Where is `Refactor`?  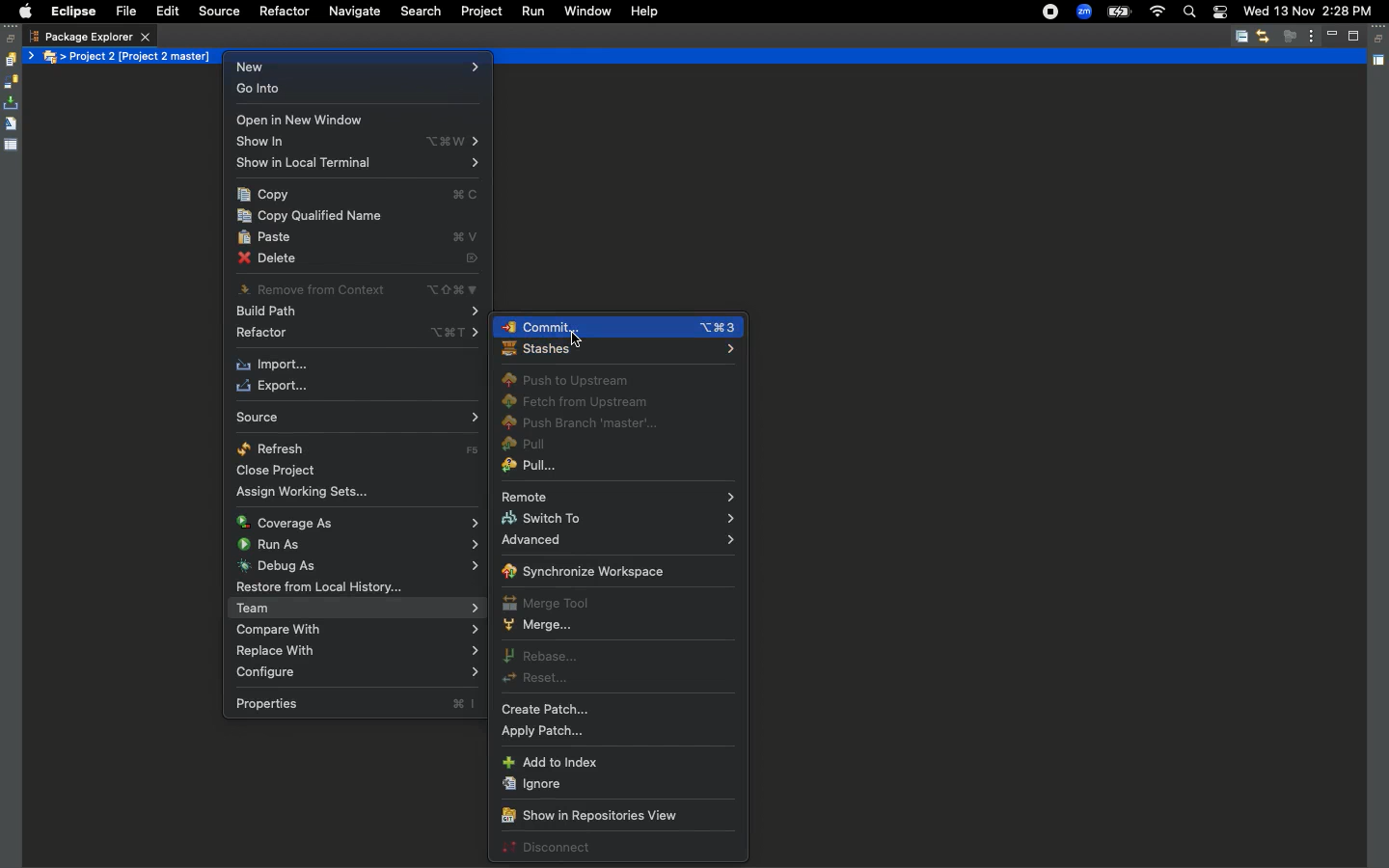 Refactor is located at coordinates (283, 12).